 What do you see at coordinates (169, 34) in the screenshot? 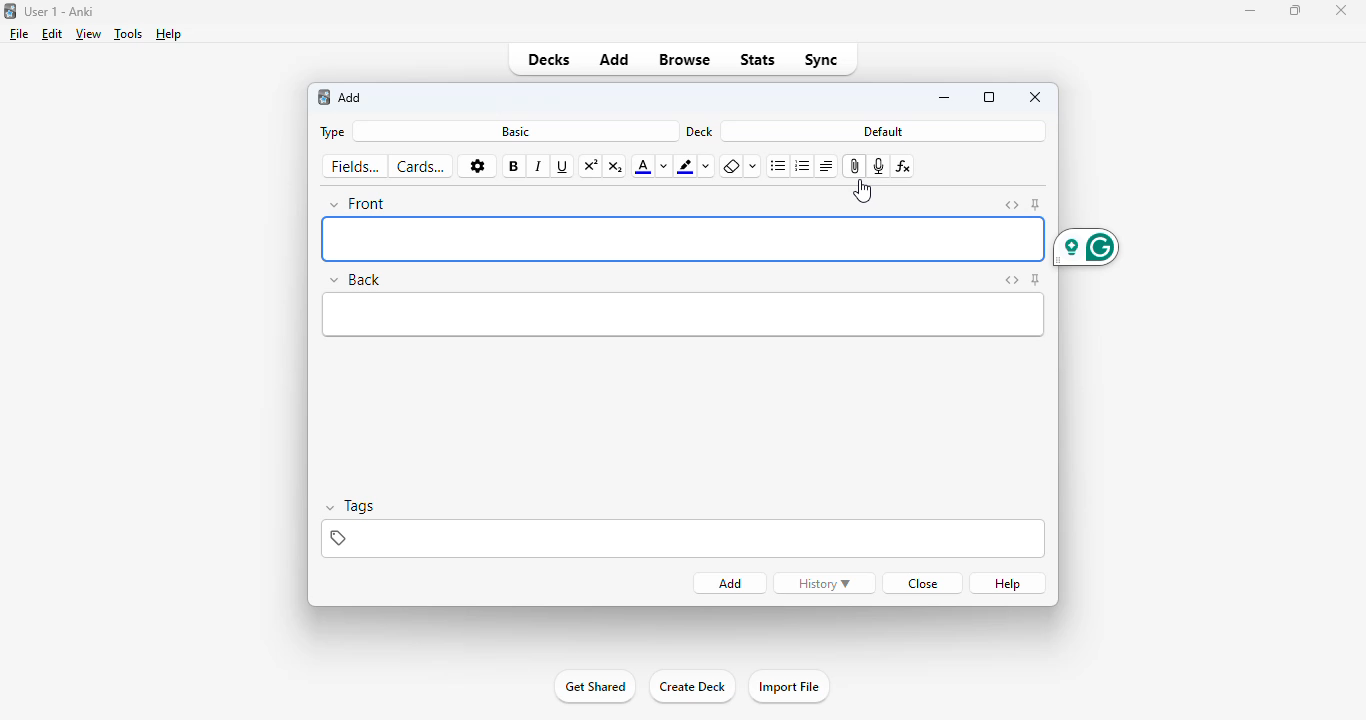
I see `help` at bounding box center [169, 34].